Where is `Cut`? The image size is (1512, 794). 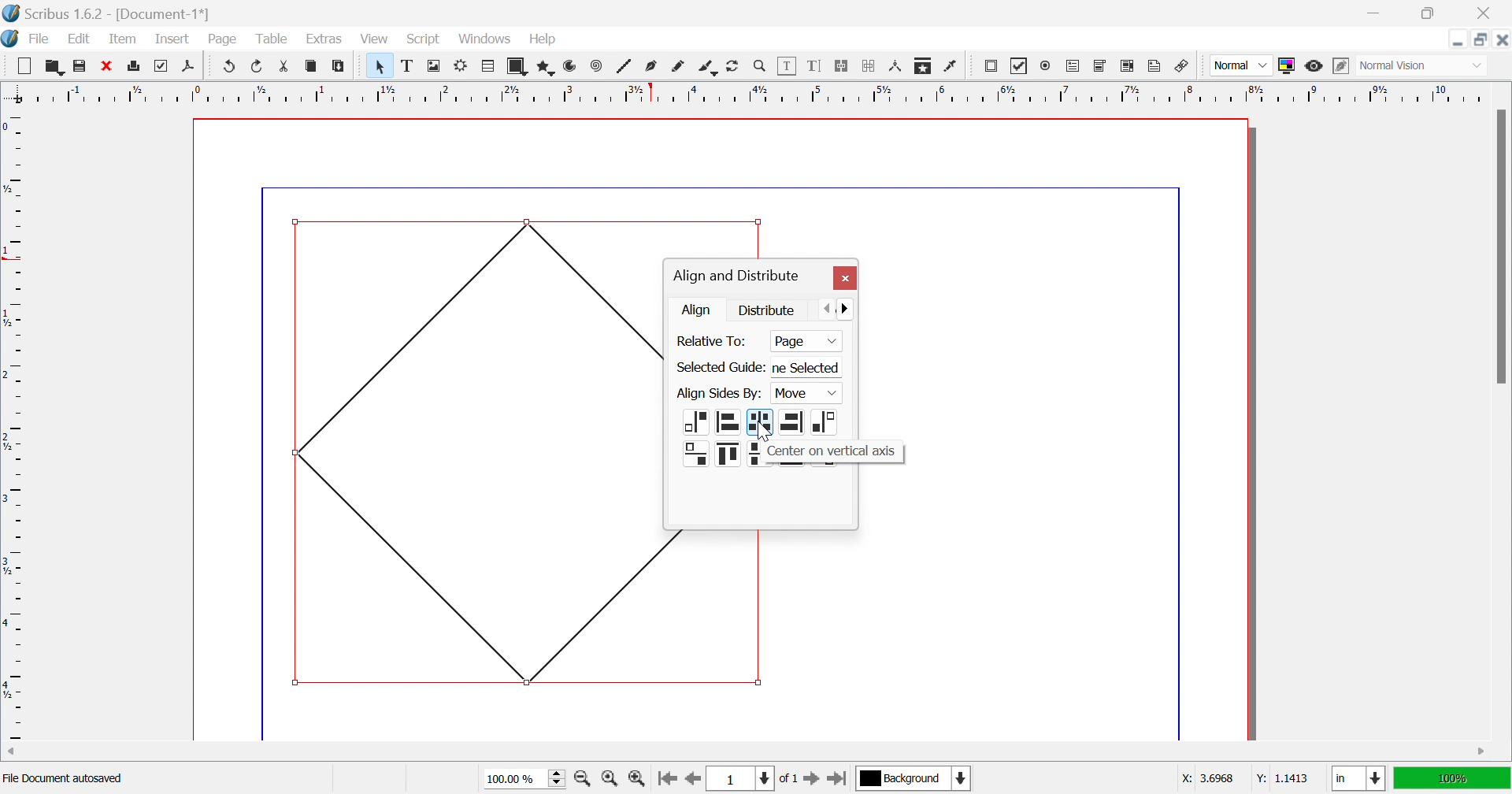
Cut is located at coordinates (288, 69).